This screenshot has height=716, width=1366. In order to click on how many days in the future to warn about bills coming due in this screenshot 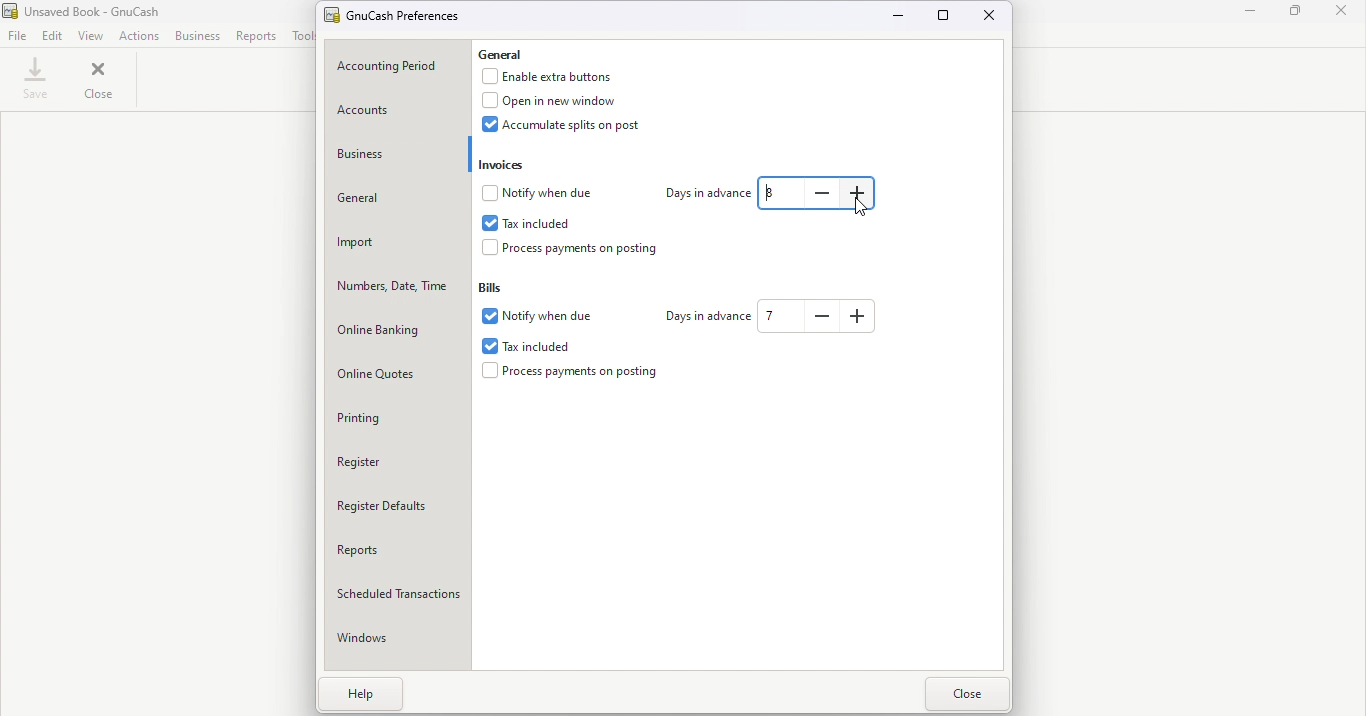, I will do `click(859, 316)`.